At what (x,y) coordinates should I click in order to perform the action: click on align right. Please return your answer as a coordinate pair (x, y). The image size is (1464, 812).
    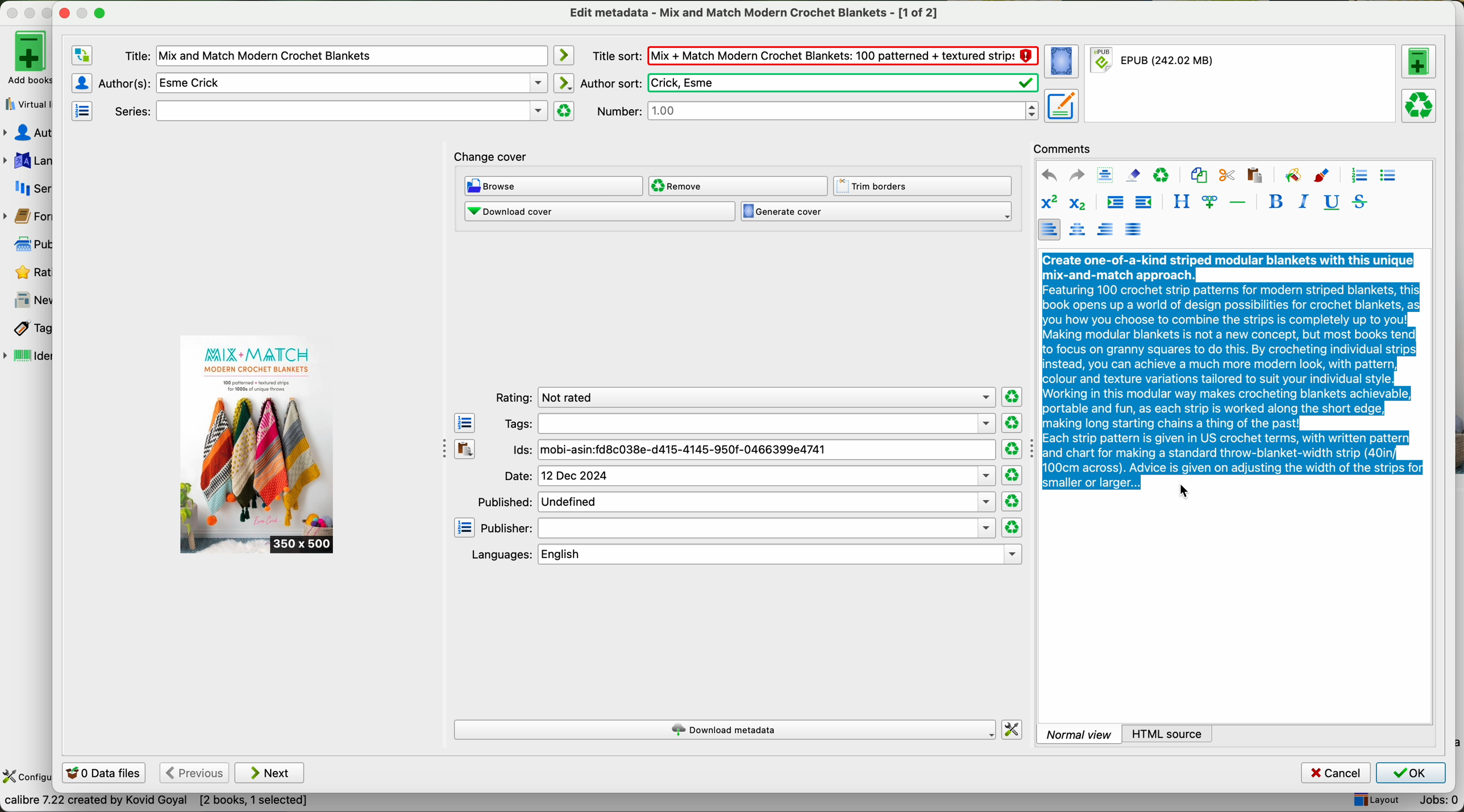
    Looking at the image, I should click on (1106, 228).